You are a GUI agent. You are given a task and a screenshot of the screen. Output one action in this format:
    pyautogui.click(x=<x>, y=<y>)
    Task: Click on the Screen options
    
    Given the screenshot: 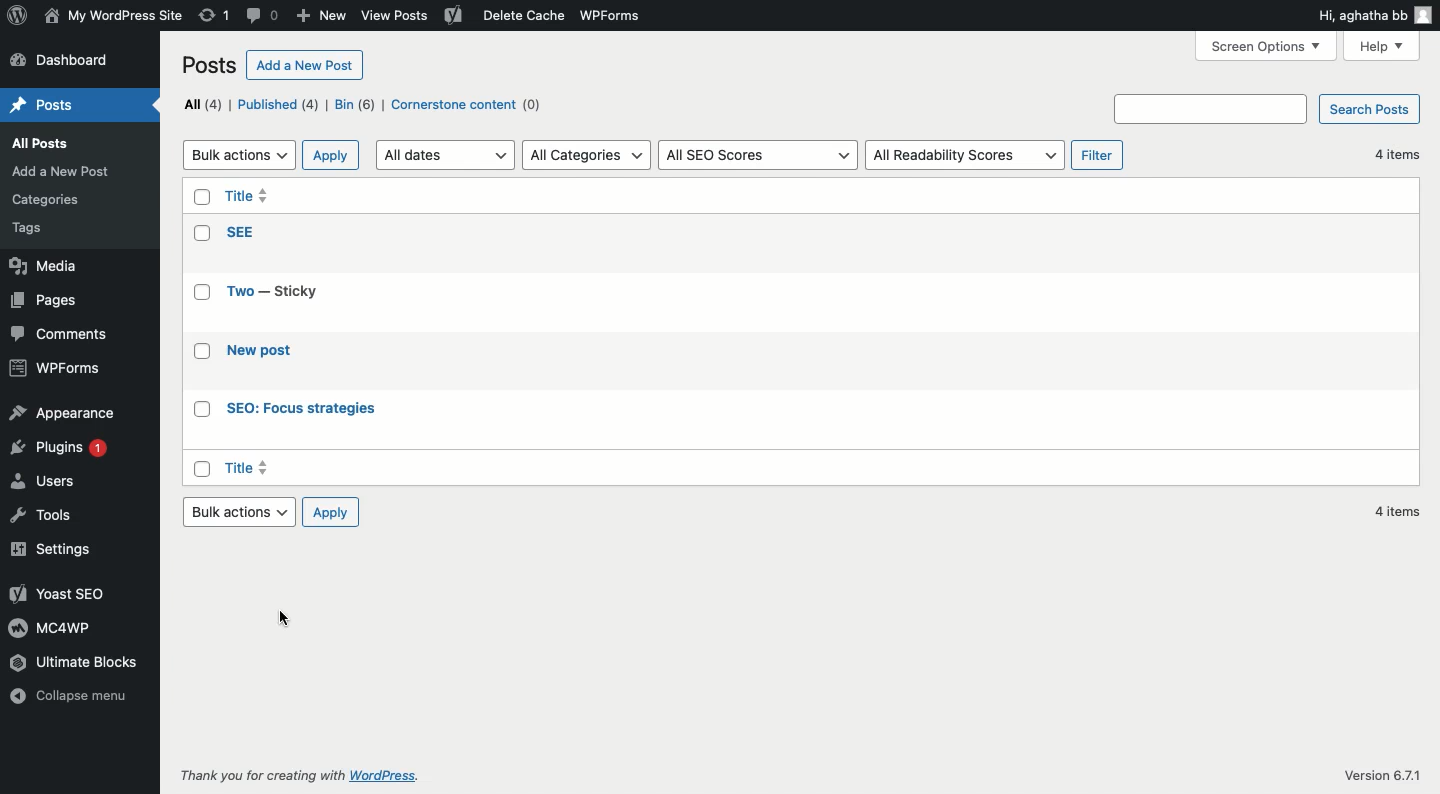 What is the action you would take?
    pyautogui.click(x=1267, y=46)
    